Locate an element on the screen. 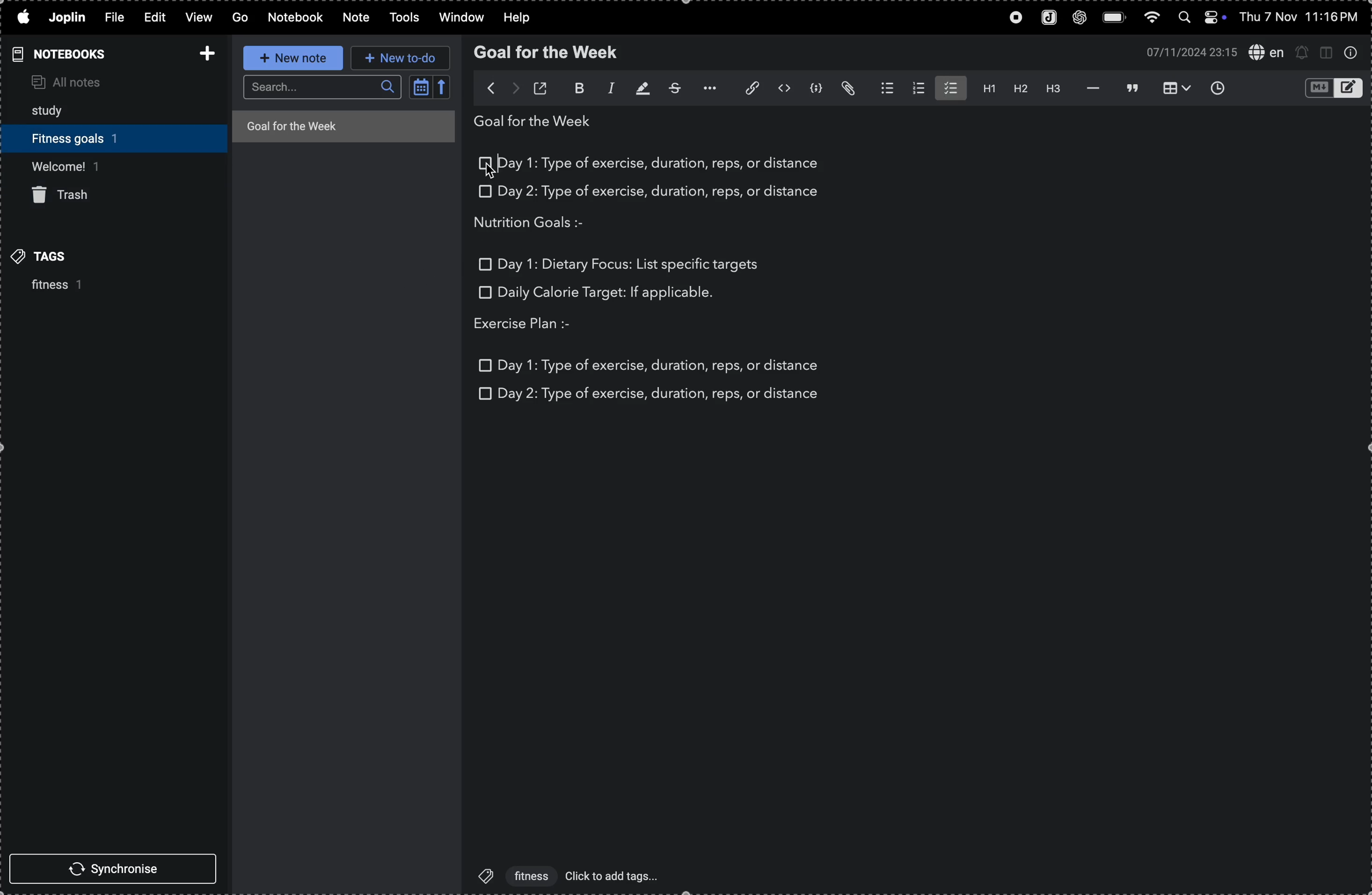 The height and width of the screenshot is (895, 1372). number list is located at coordinates (916, 88).